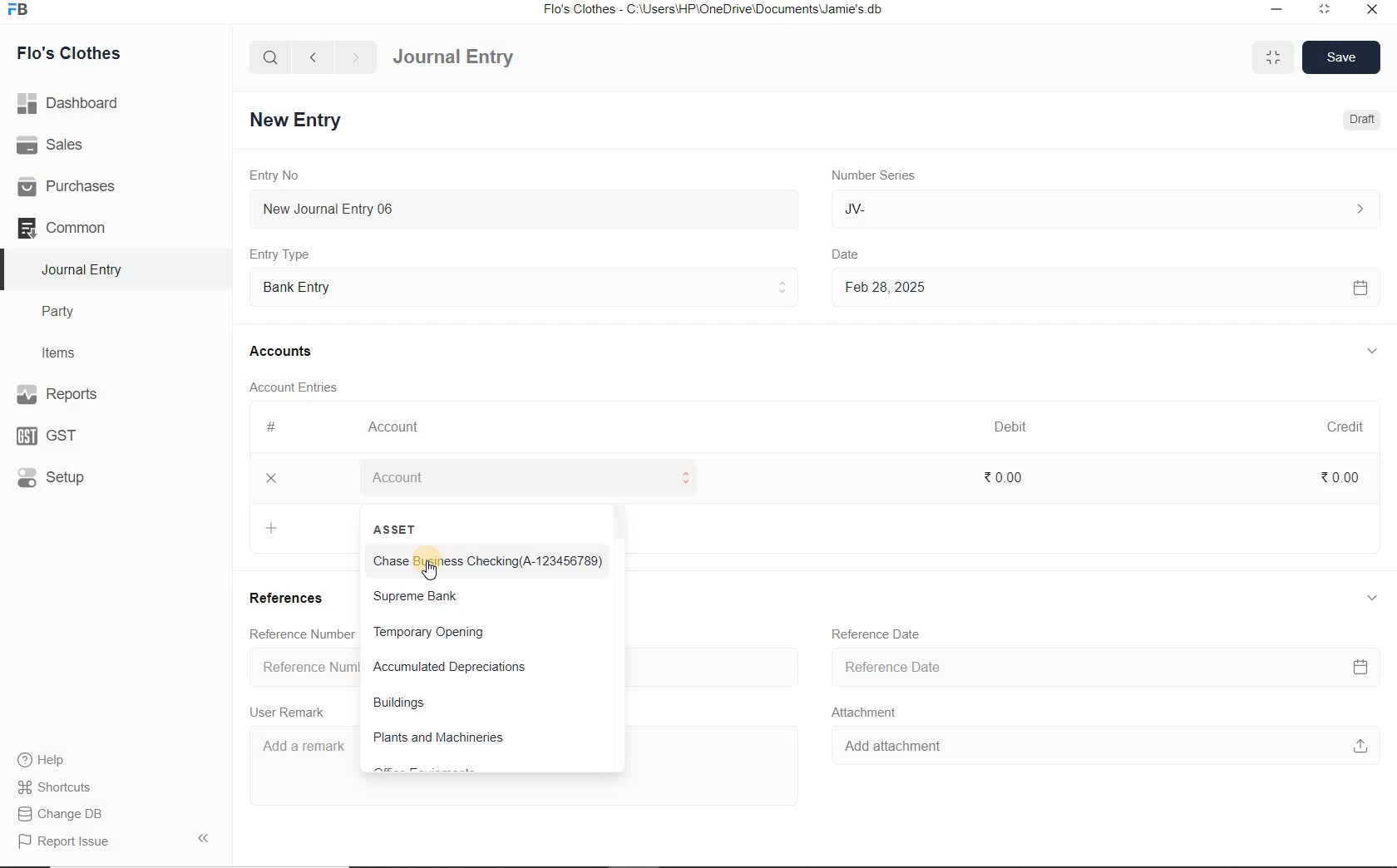 Image resolution: width=1397 pixels, height=868 pixels. I want to click on Reference Number, so click(299, 635).